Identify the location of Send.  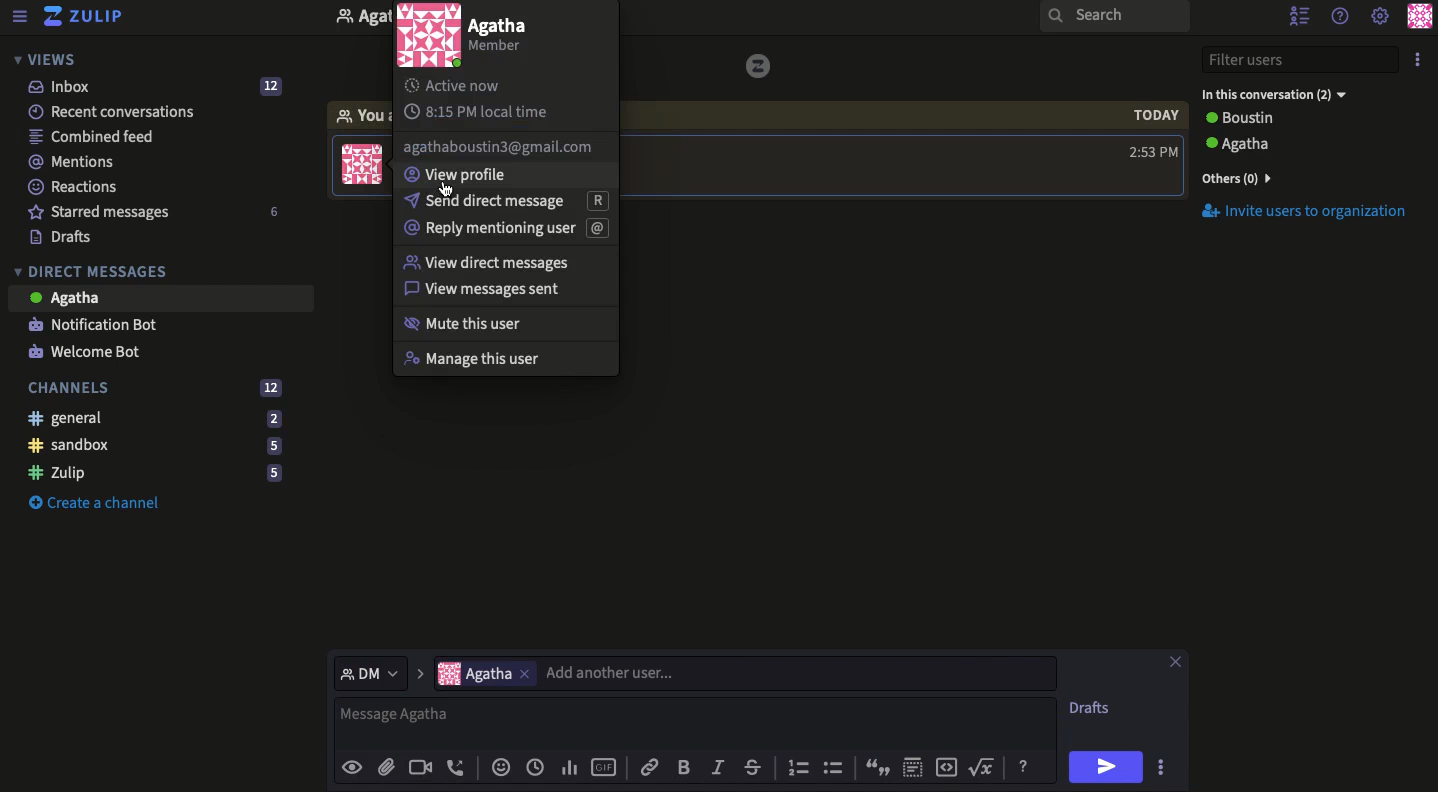
(1104, 767).